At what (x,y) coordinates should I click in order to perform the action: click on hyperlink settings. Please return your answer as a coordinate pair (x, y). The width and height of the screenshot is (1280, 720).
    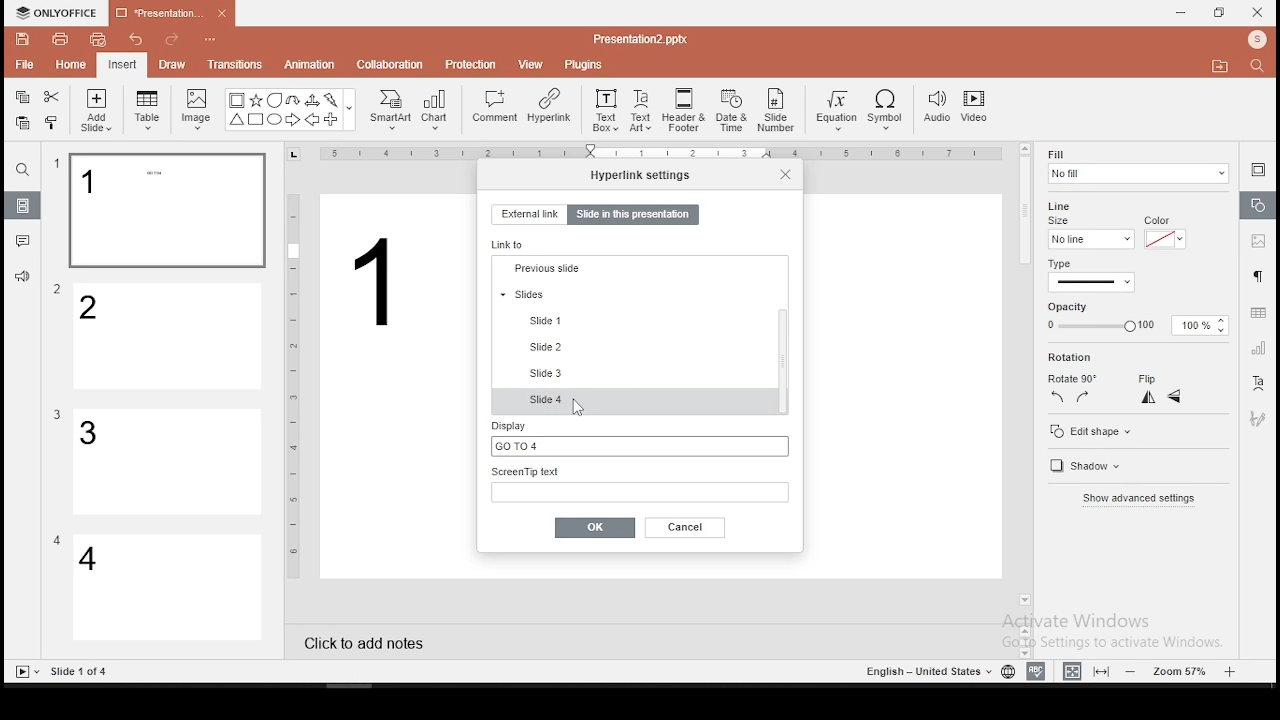
    Looking at the image, I should click on (641, 174).